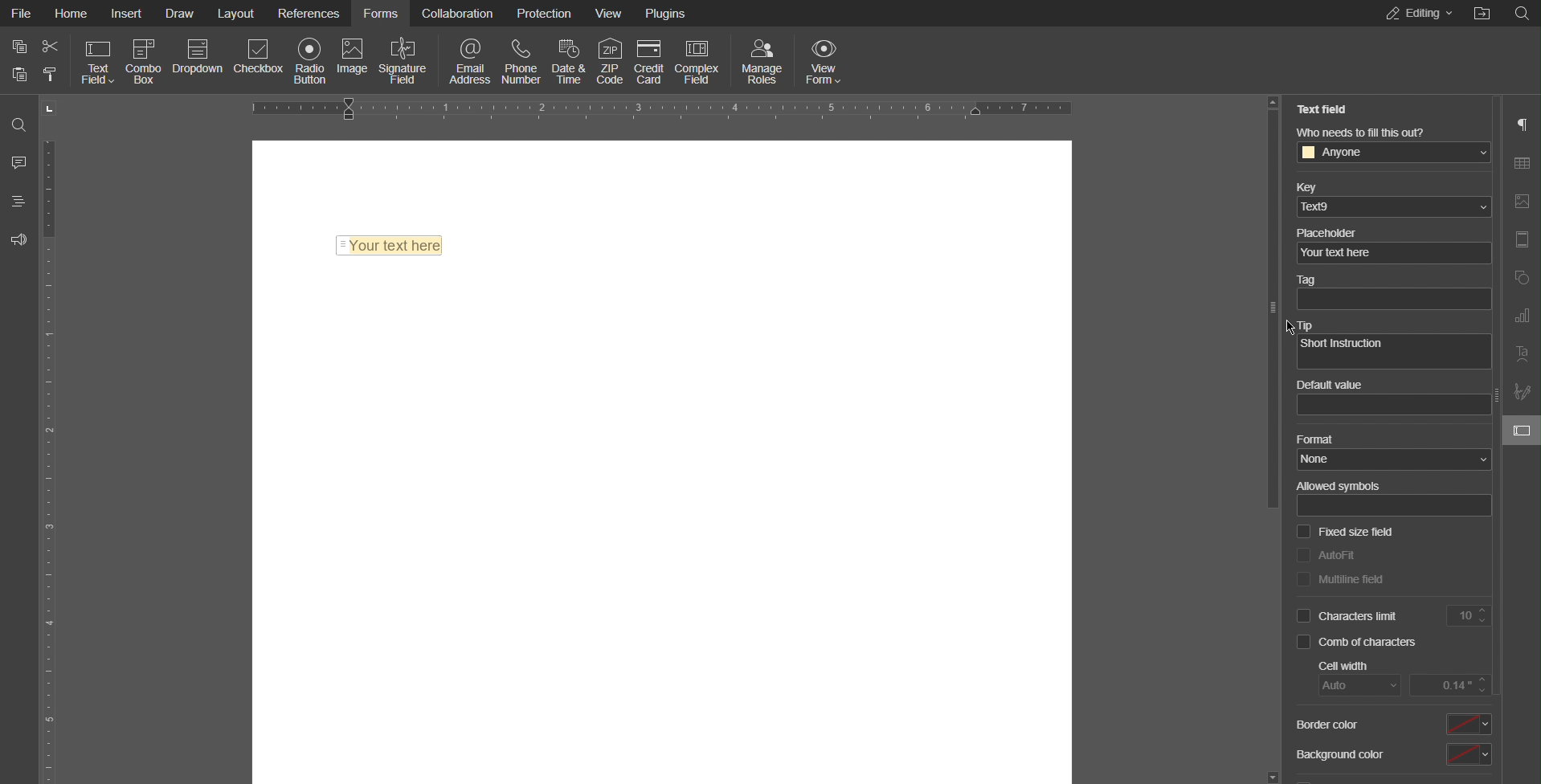 This screenshot has width=1541, height=784. I want to click on Signature, so click(1522, 391).